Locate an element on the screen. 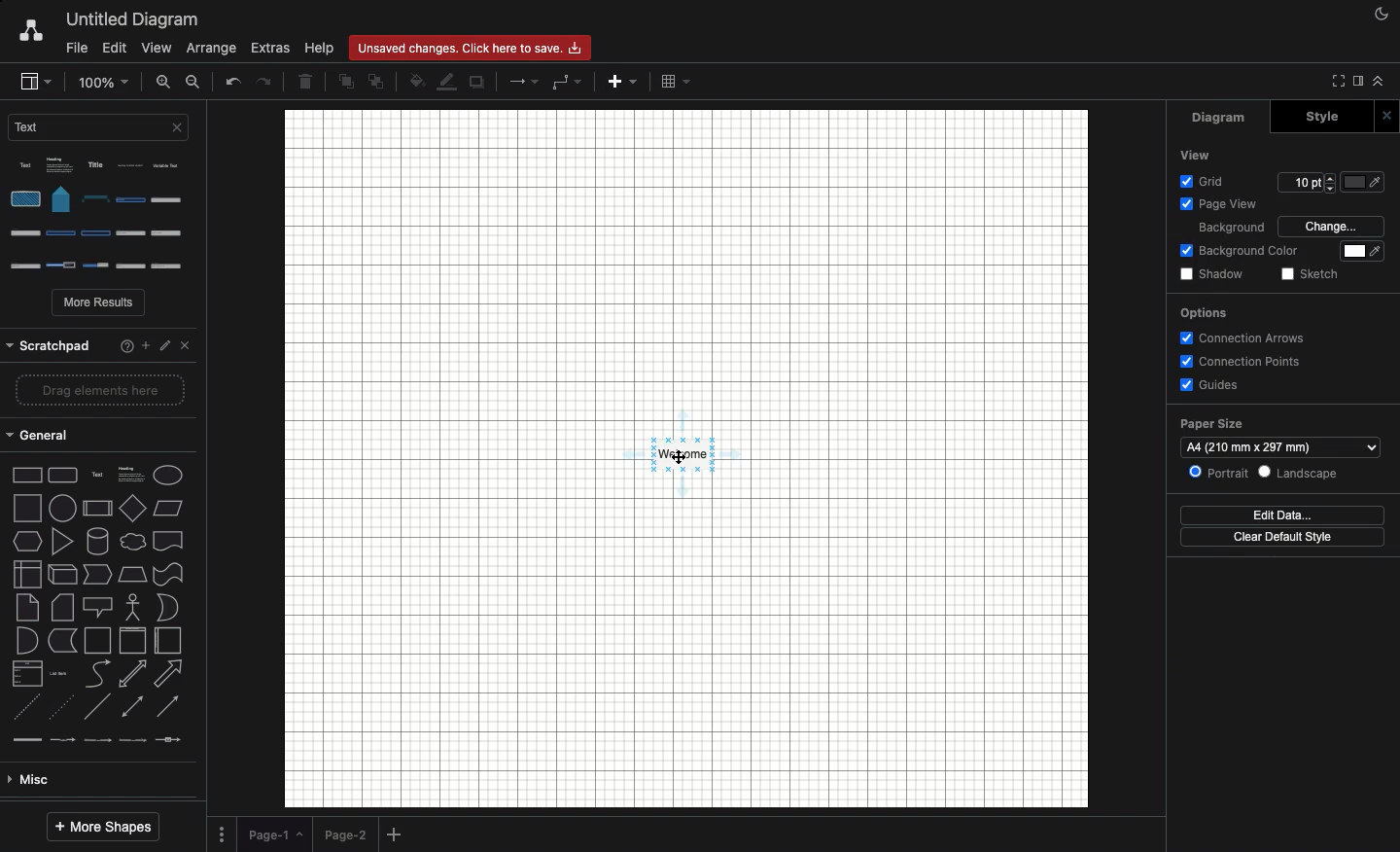 The width and height of the screenshot is (1400, 852). Style is located at coordinates (1337, 115).